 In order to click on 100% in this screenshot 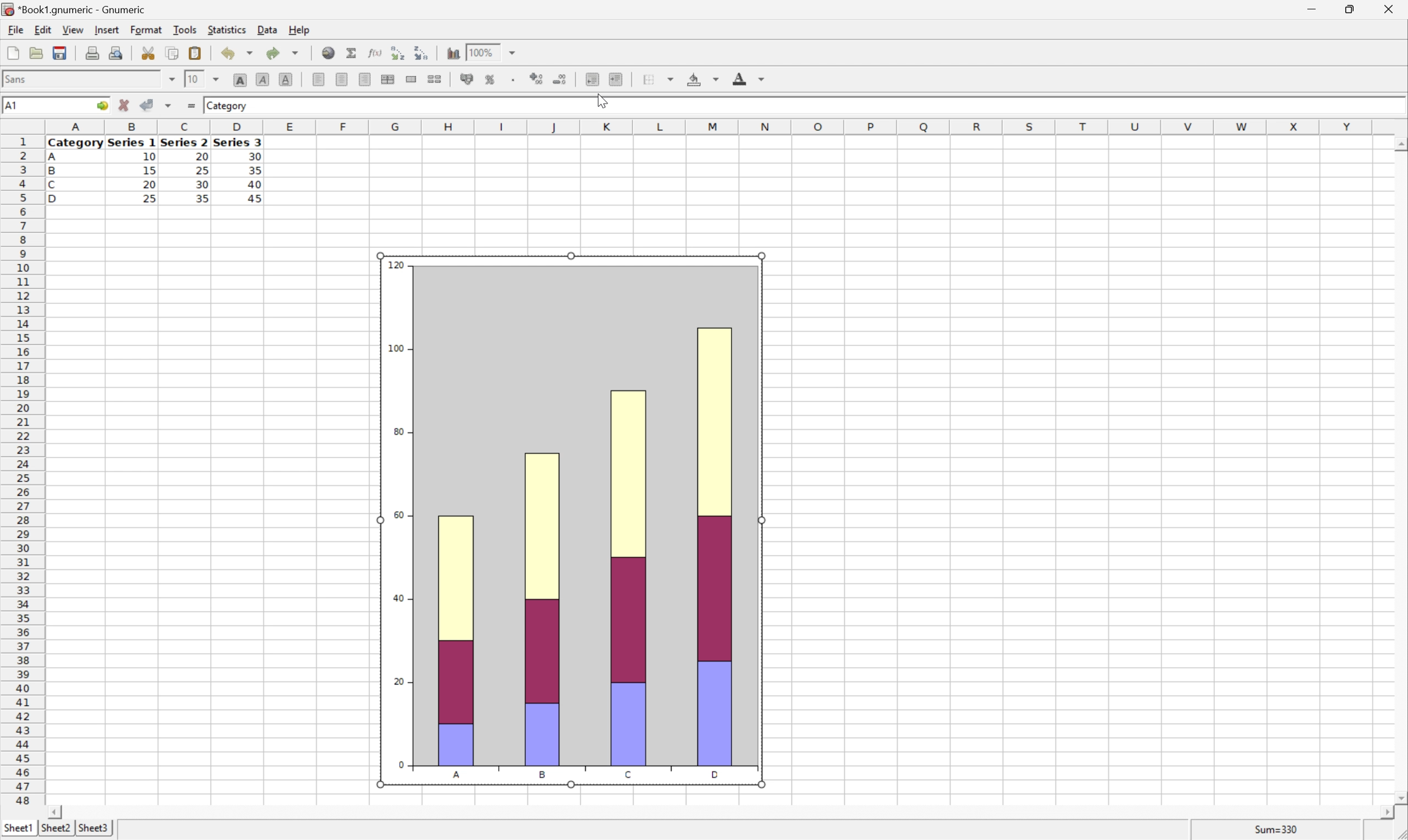, I will do `click(481, 55)`.